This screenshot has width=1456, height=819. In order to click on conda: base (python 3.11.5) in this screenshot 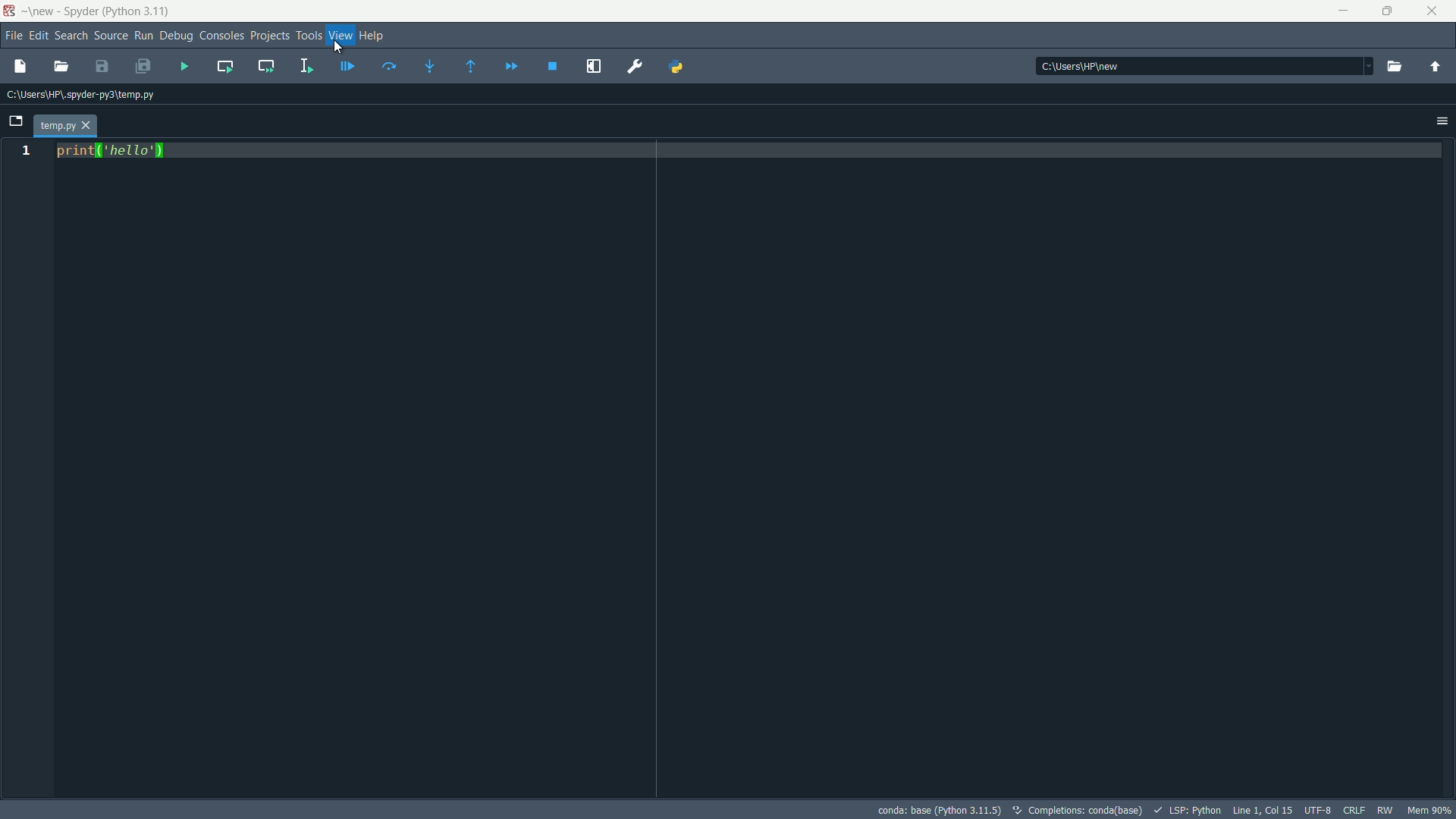, I will do `click(940, 810)`.